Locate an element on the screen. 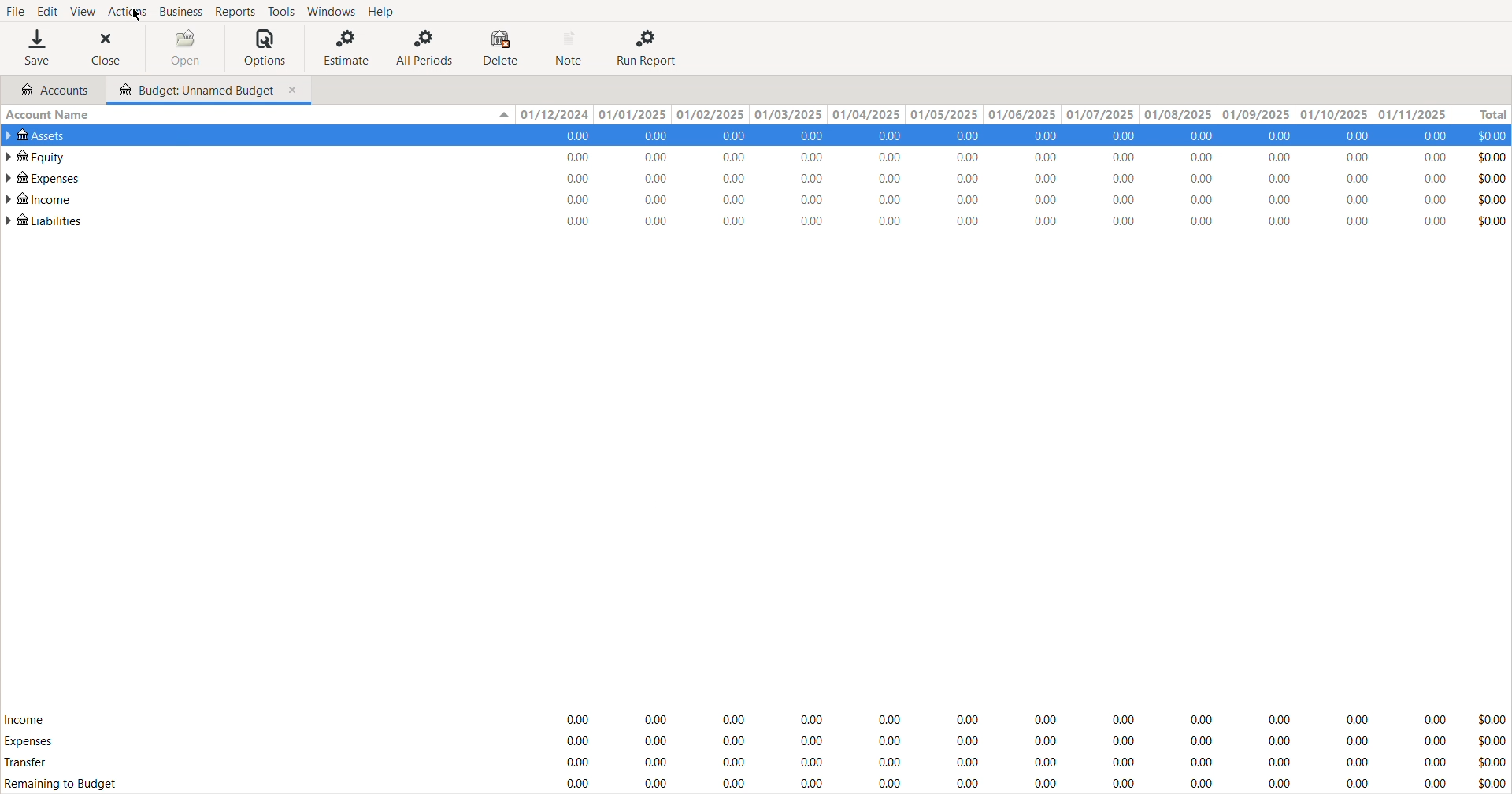 This screenshot has width=1512, height=794. Options is located at coordinates (265, 48).